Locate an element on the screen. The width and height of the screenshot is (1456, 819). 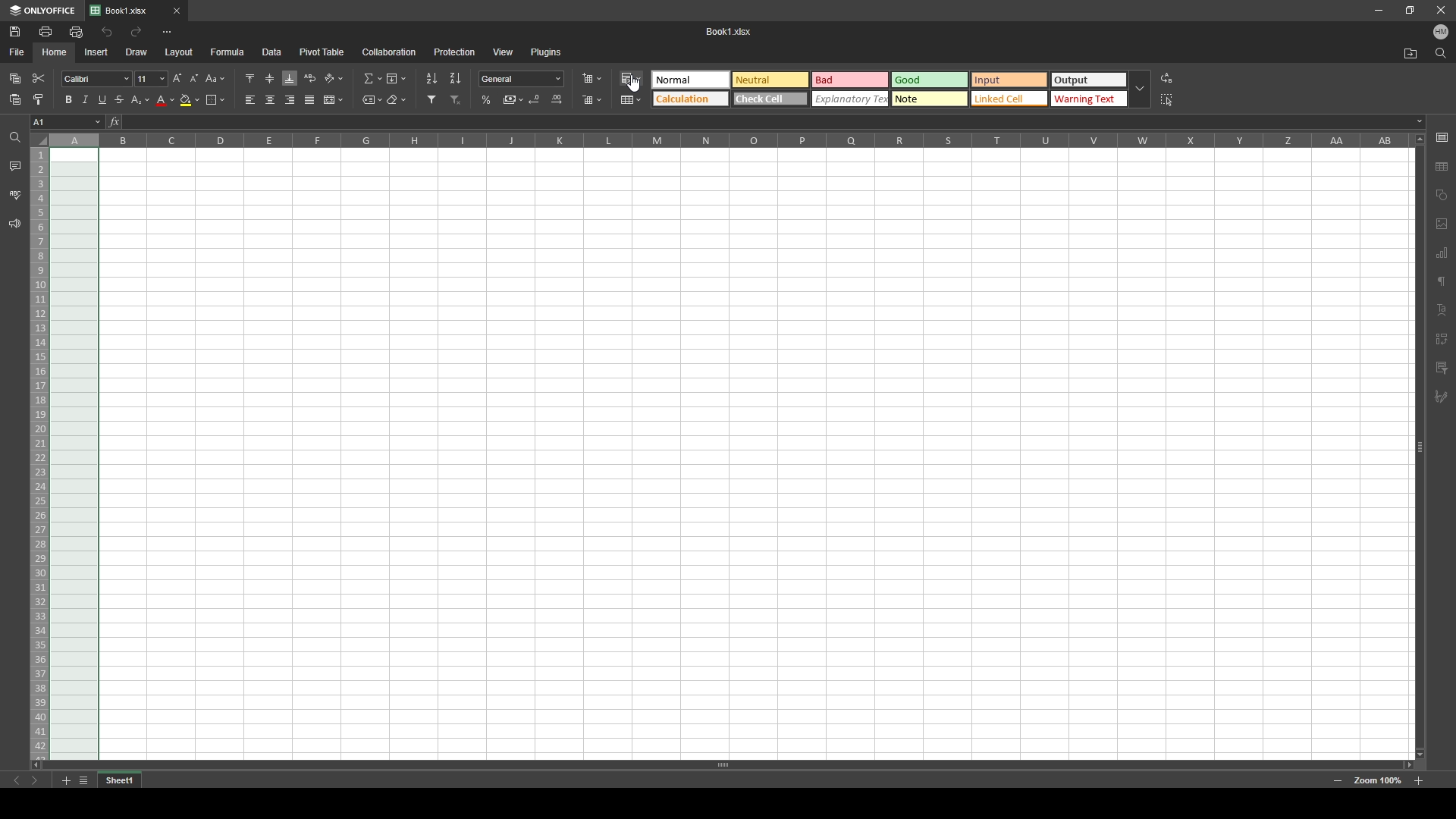
pivot table is located at coordinates (322, 51).